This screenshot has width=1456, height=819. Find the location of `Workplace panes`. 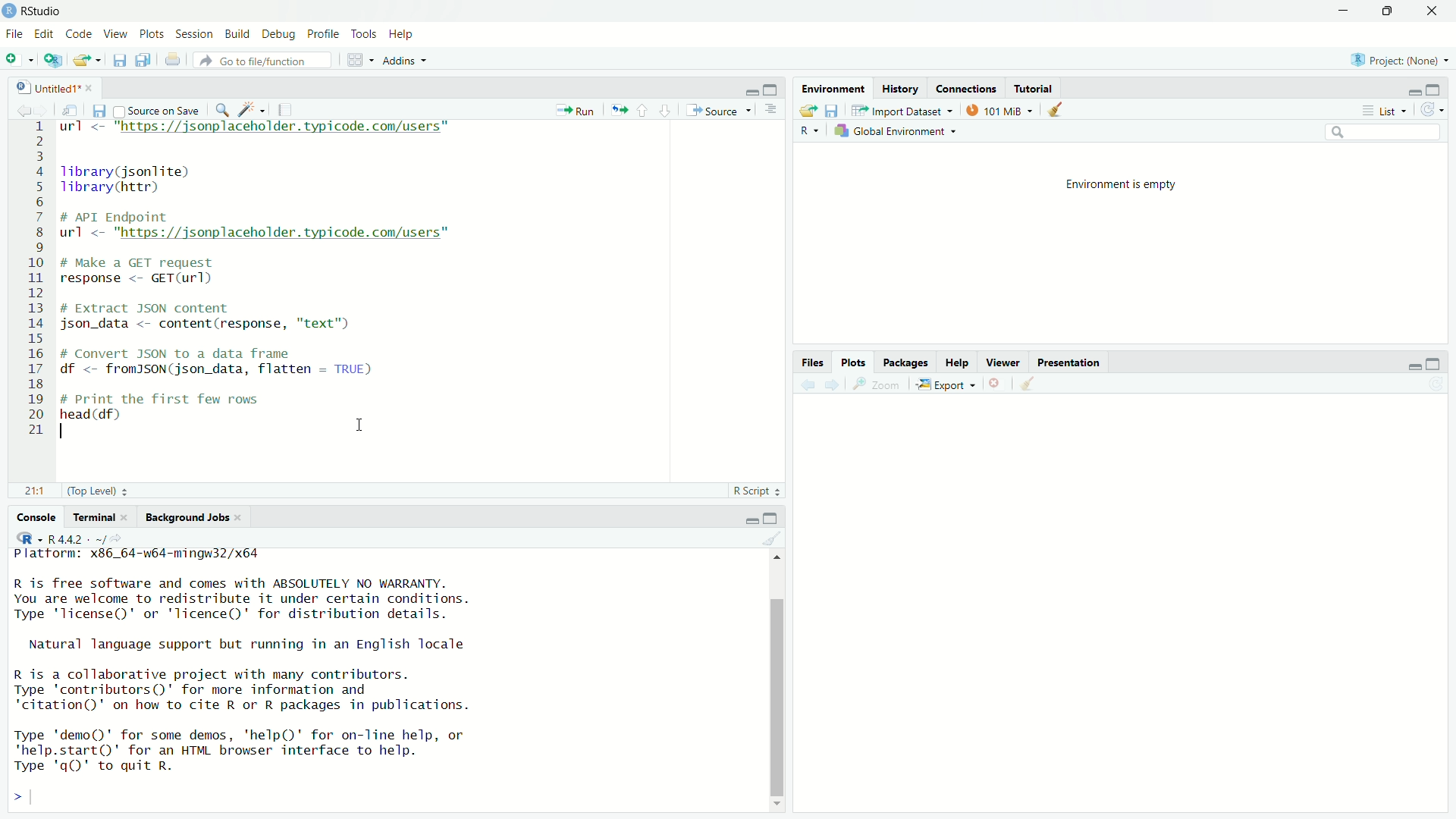

Workplace panes is located at coordinates (361, 60).